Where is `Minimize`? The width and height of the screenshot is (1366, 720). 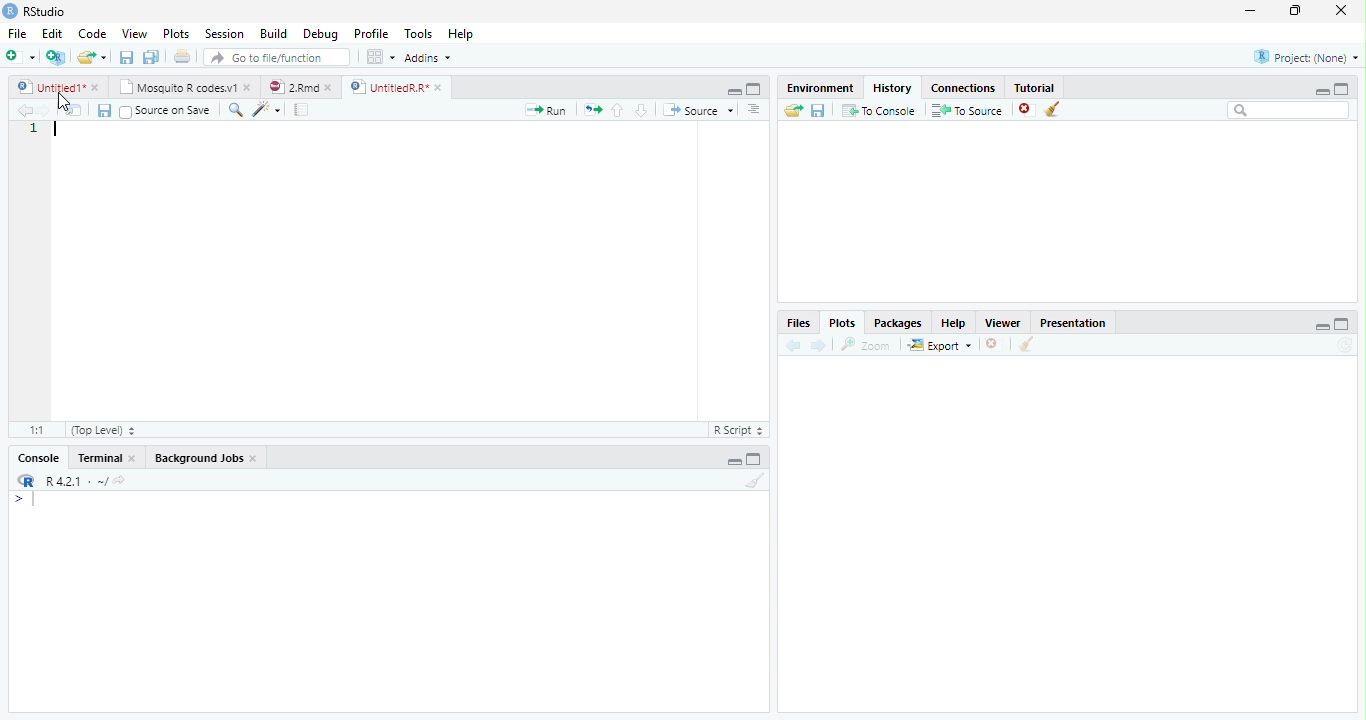 Minimize is located at coordinates (733, 92).